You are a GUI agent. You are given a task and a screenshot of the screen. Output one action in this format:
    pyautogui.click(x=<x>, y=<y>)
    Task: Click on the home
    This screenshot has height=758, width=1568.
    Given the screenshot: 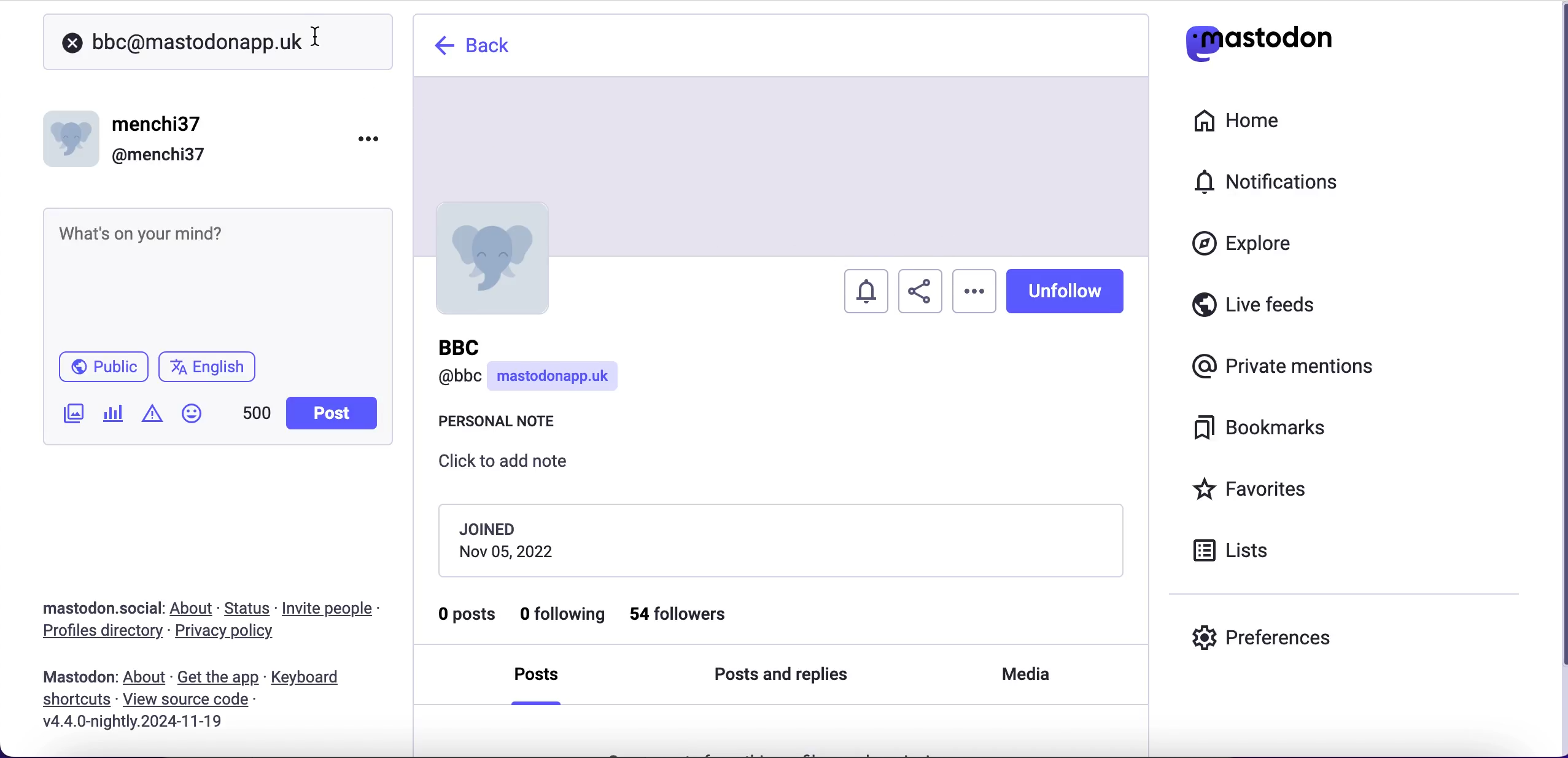 What is the action you would take?
    pyautogui.click(x=1234, y=121)
    